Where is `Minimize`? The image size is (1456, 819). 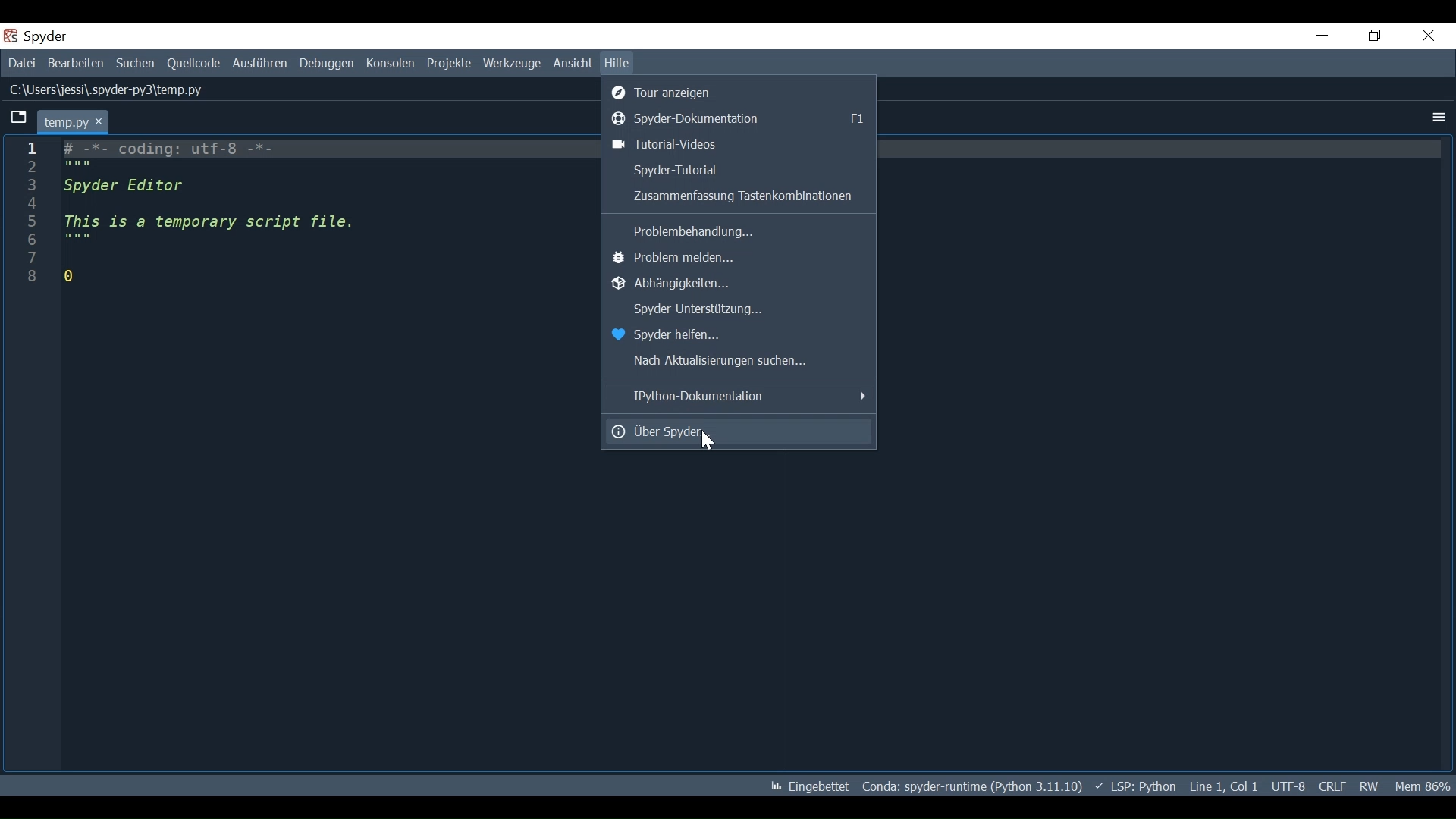 Minimize is located at coordinates (1322, 36).